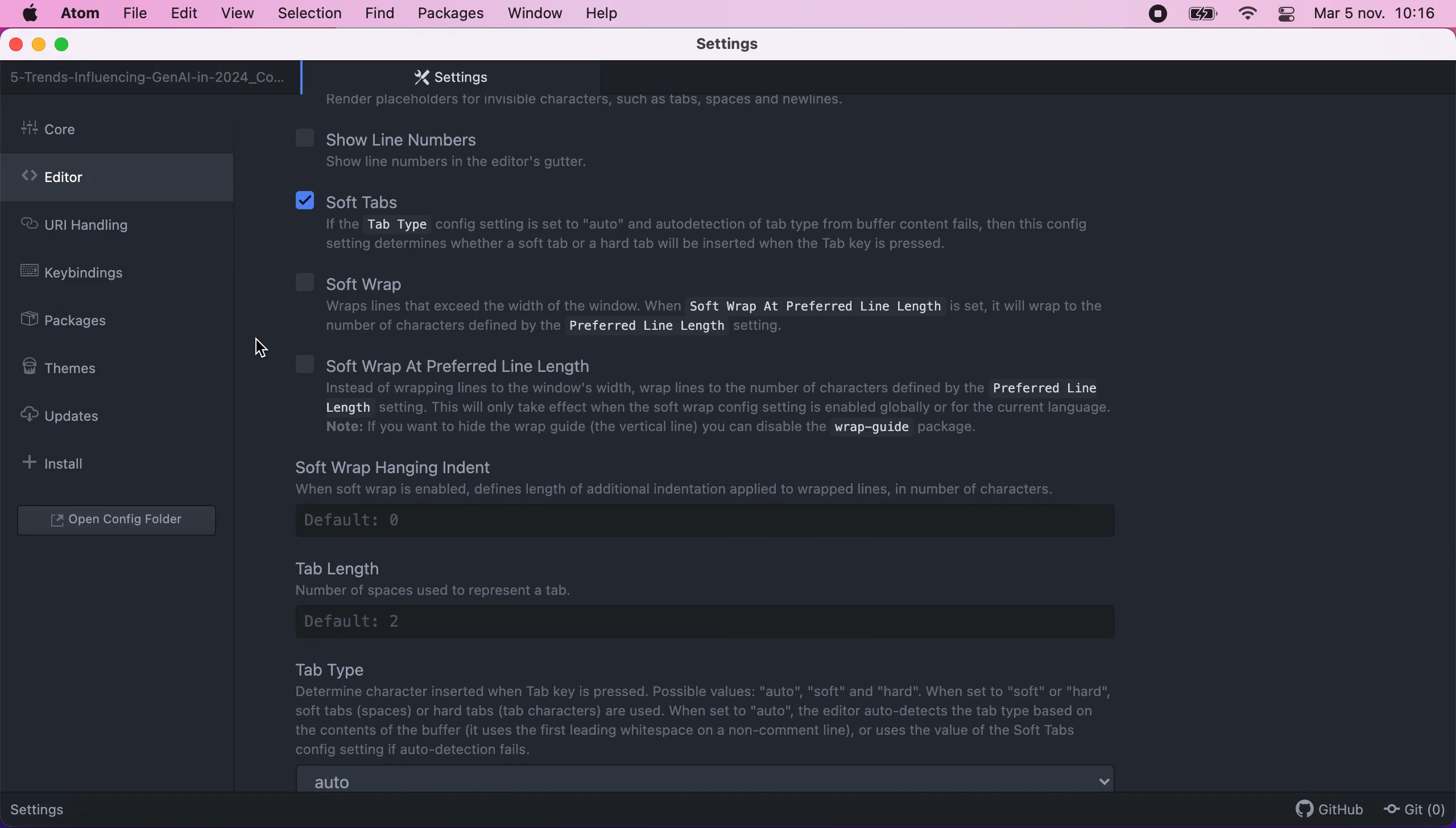  What do you see at coordinates (262, 354) in the screenshot?
I see `cursor` at bounding box center [262, 354].